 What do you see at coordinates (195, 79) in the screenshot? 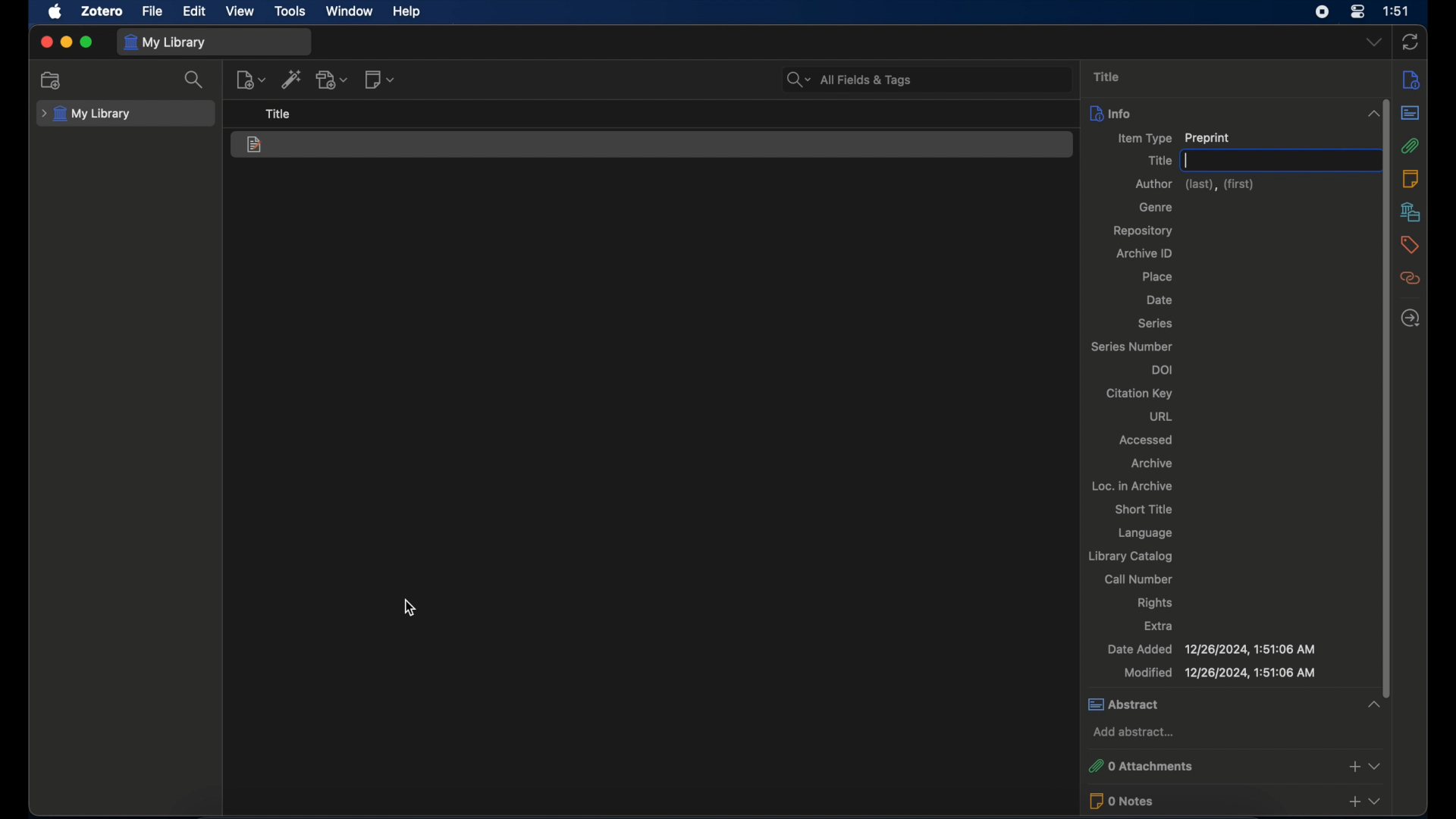
I see `search` at bounding box center [195, 79].